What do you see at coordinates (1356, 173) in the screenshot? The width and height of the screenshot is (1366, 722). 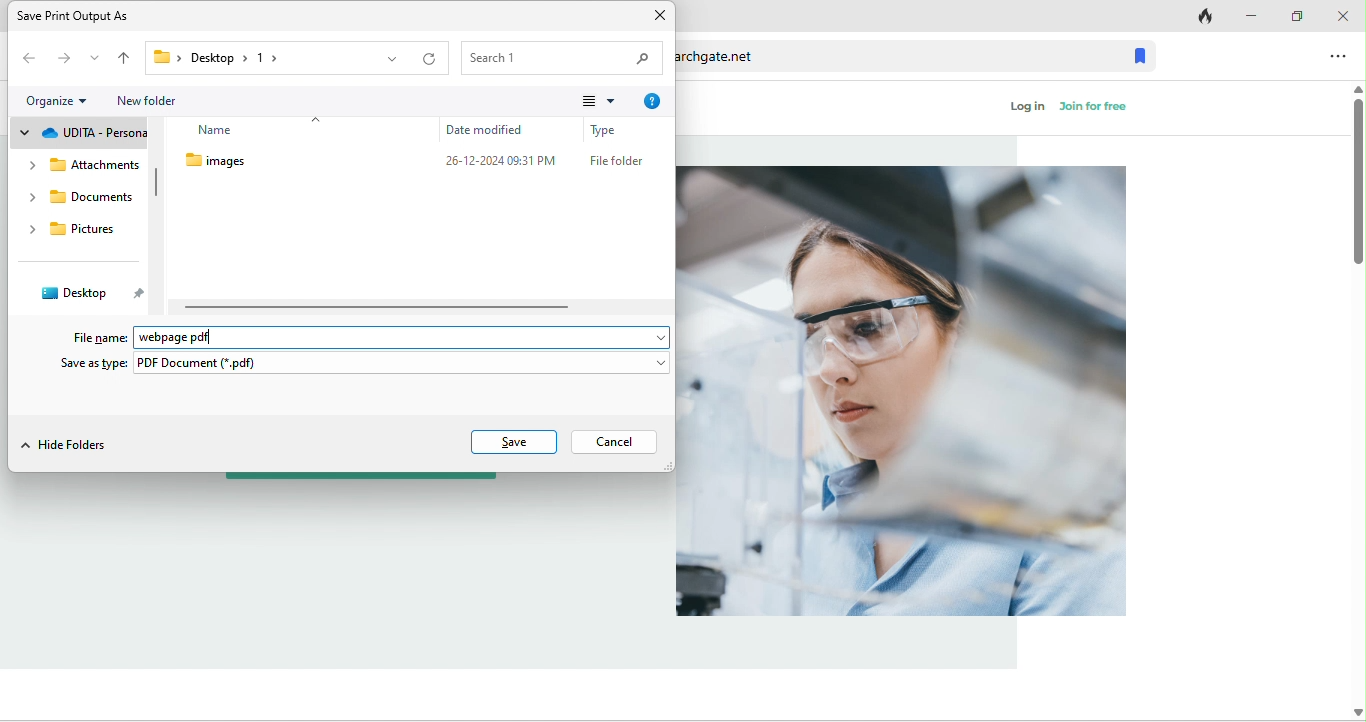 I see `vertical scroll bar` at bounding box center [1356, 173].